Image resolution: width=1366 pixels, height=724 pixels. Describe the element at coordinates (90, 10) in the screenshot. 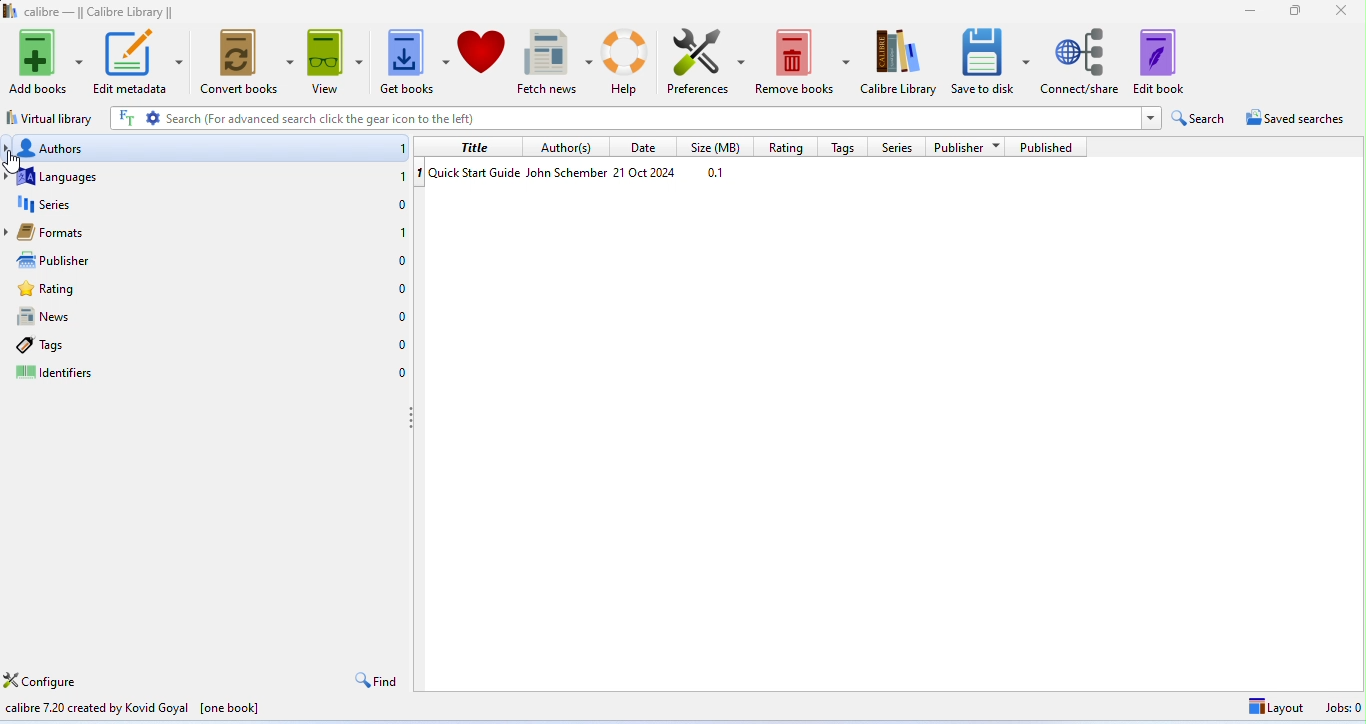

I see `title` at that location.